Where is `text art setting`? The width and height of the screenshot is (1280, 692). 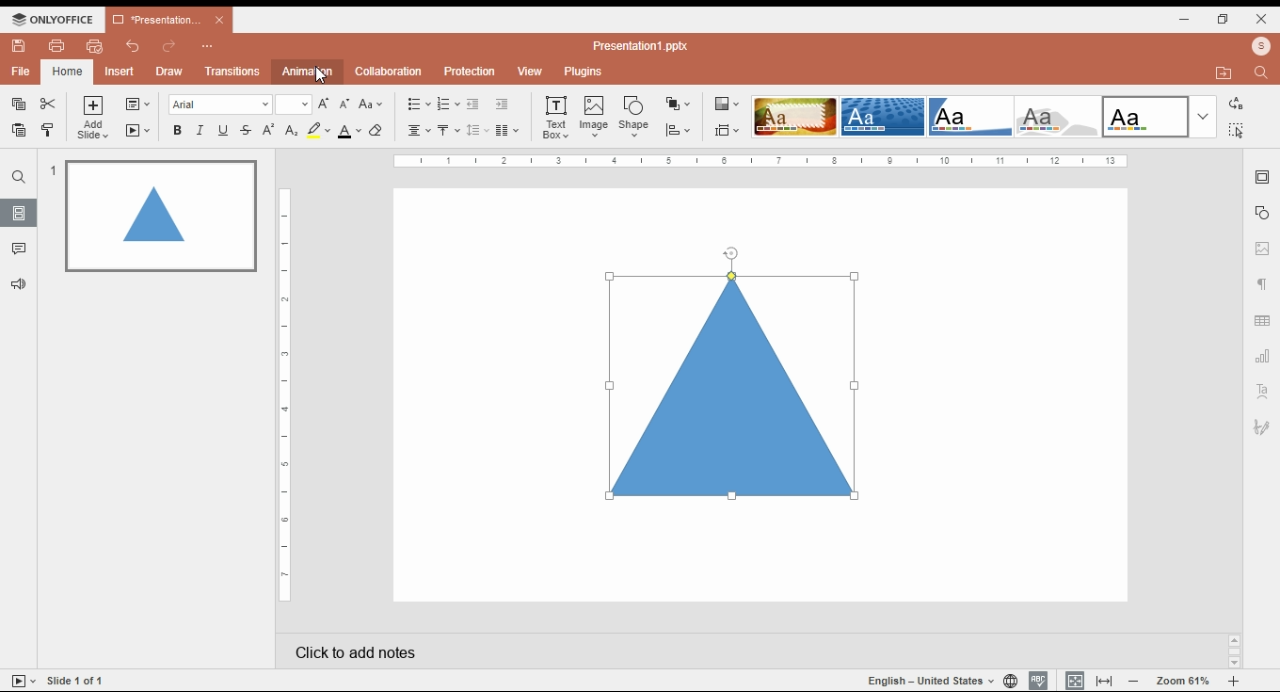
text art setting is located at coordinates (1262, 391).